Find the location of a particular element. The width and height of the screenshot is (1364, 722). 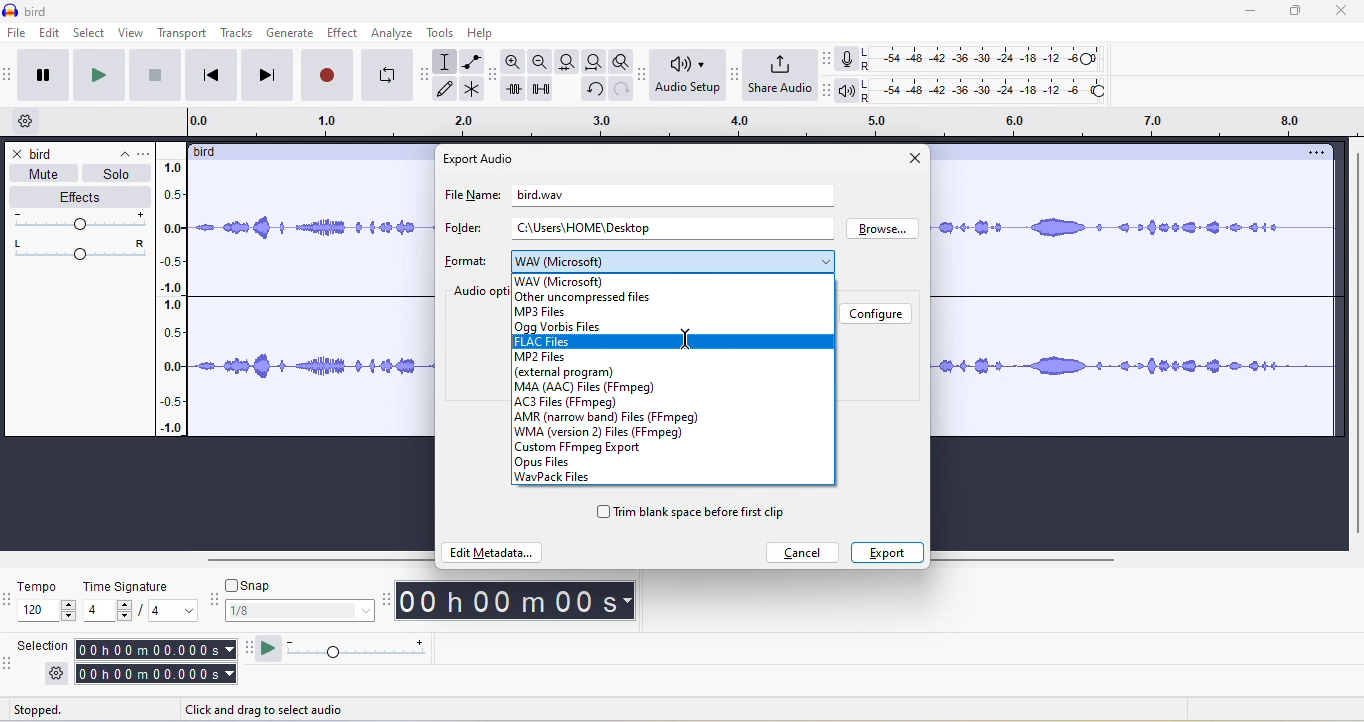

select way (microsoft) is located at coordinates (673, 259).